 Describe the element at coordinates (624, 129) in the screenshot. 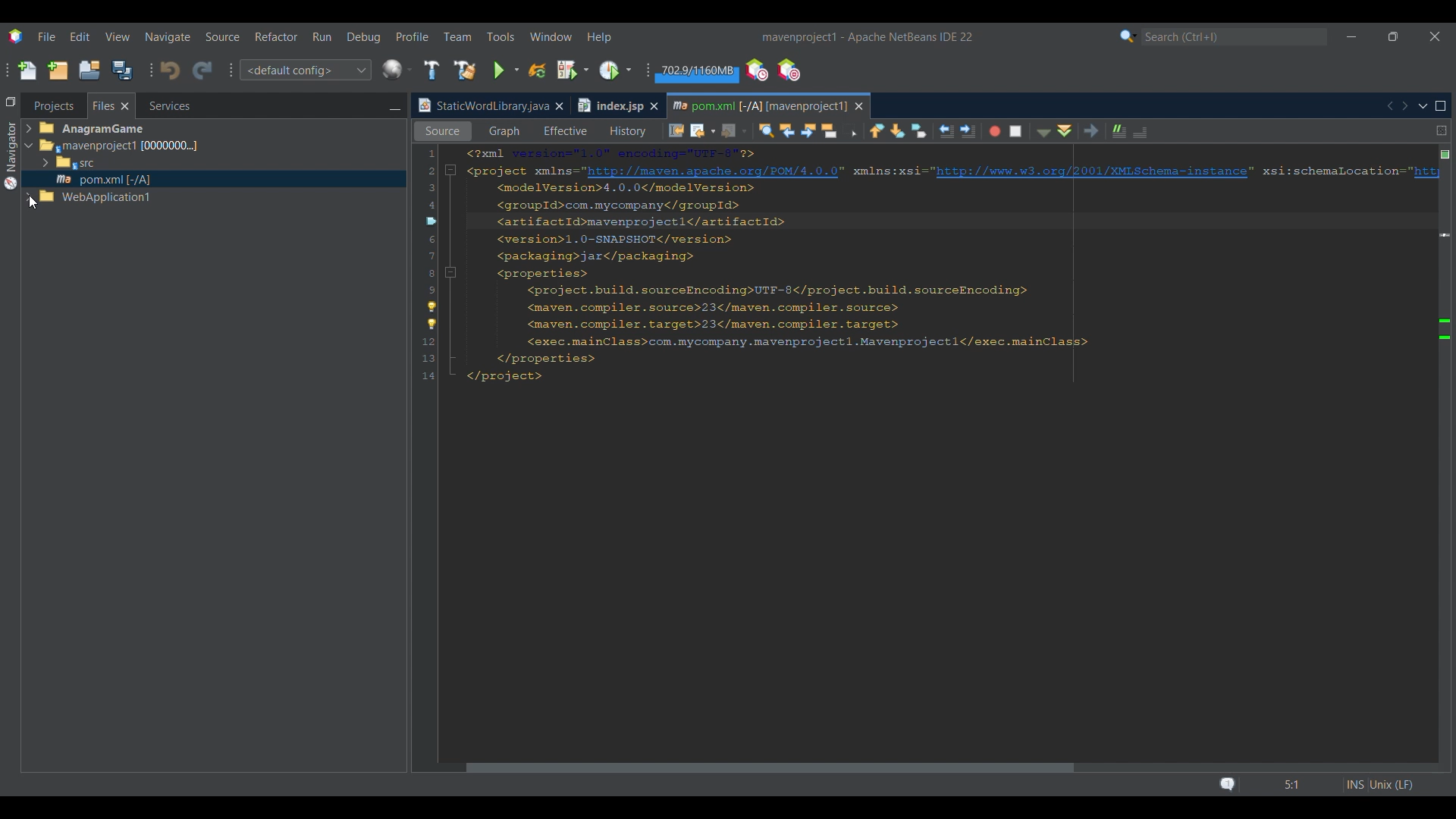

I see `History view` at that location.